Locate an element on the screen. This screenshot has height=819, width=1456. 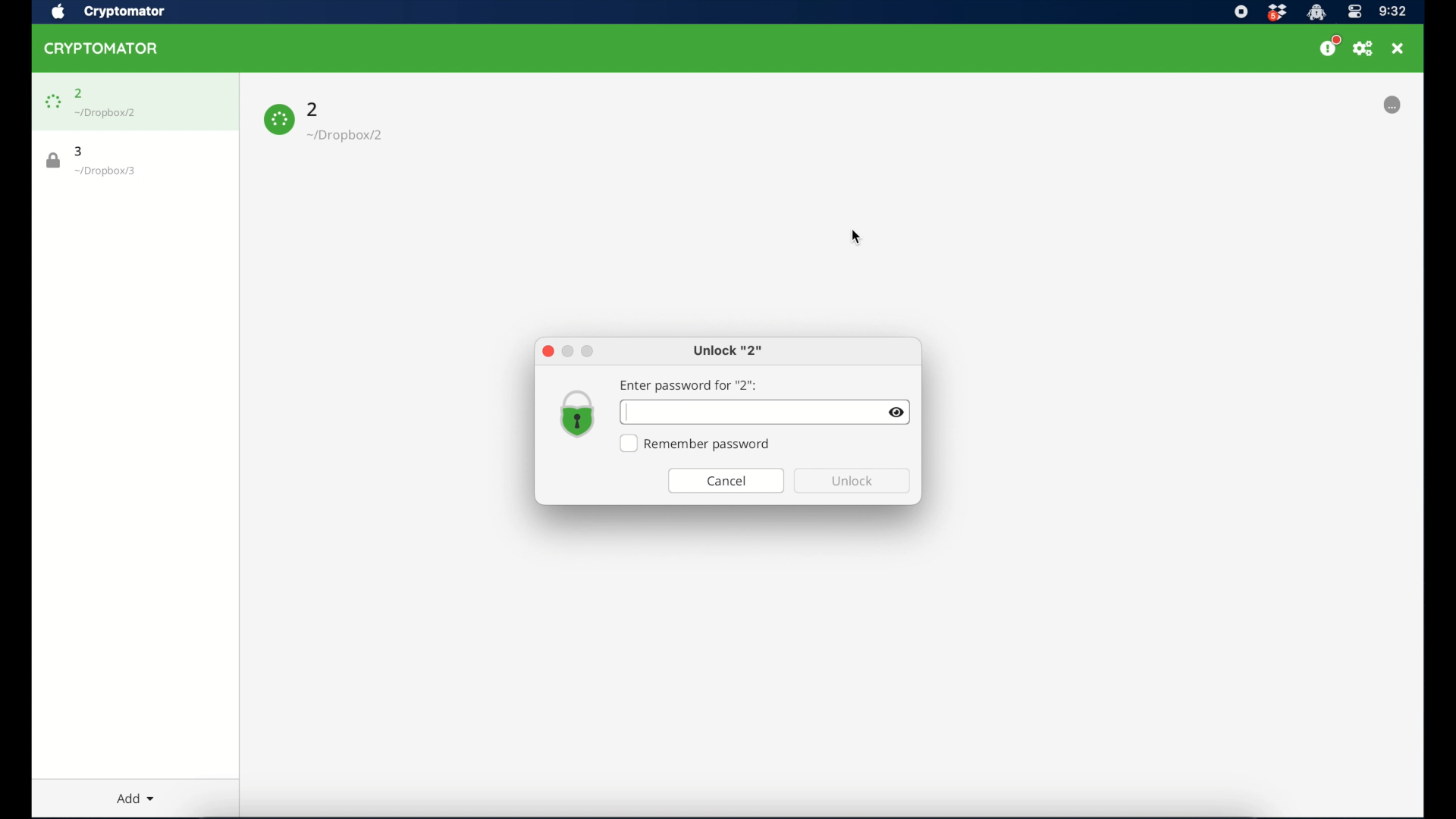
vault icon is located at coordinates (578, 414).